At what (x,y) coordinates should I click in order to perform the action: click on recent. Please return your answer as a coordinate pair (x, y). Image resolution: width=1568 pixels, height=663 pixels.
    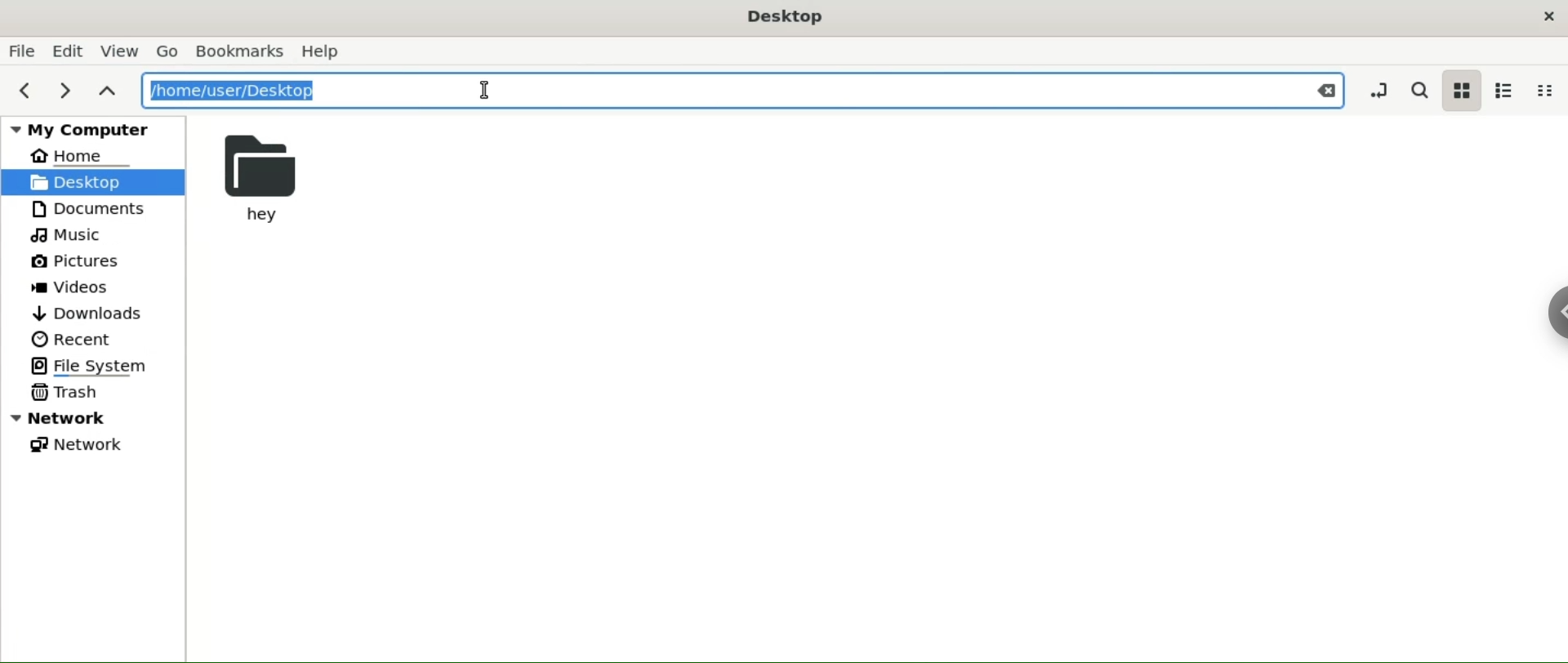
    Looking at the image, I should click on (69, 339).